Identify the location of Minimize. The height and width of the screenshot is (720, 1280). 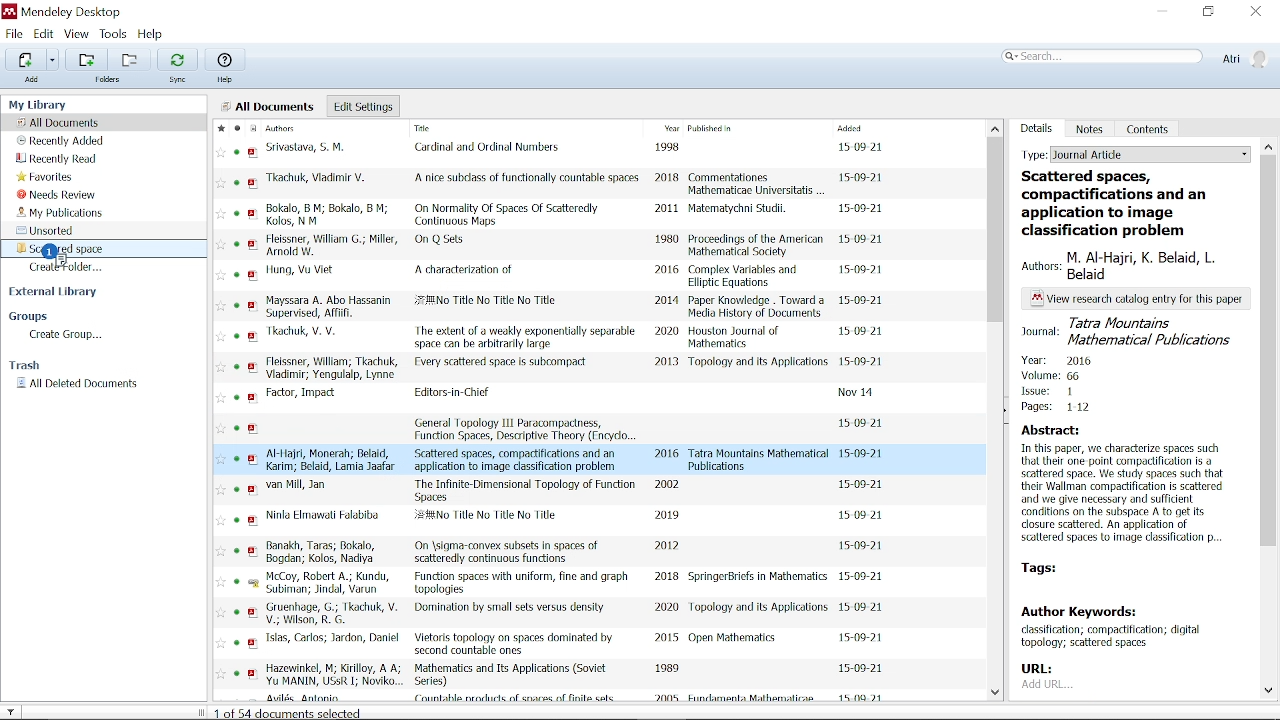
(1162, 12).